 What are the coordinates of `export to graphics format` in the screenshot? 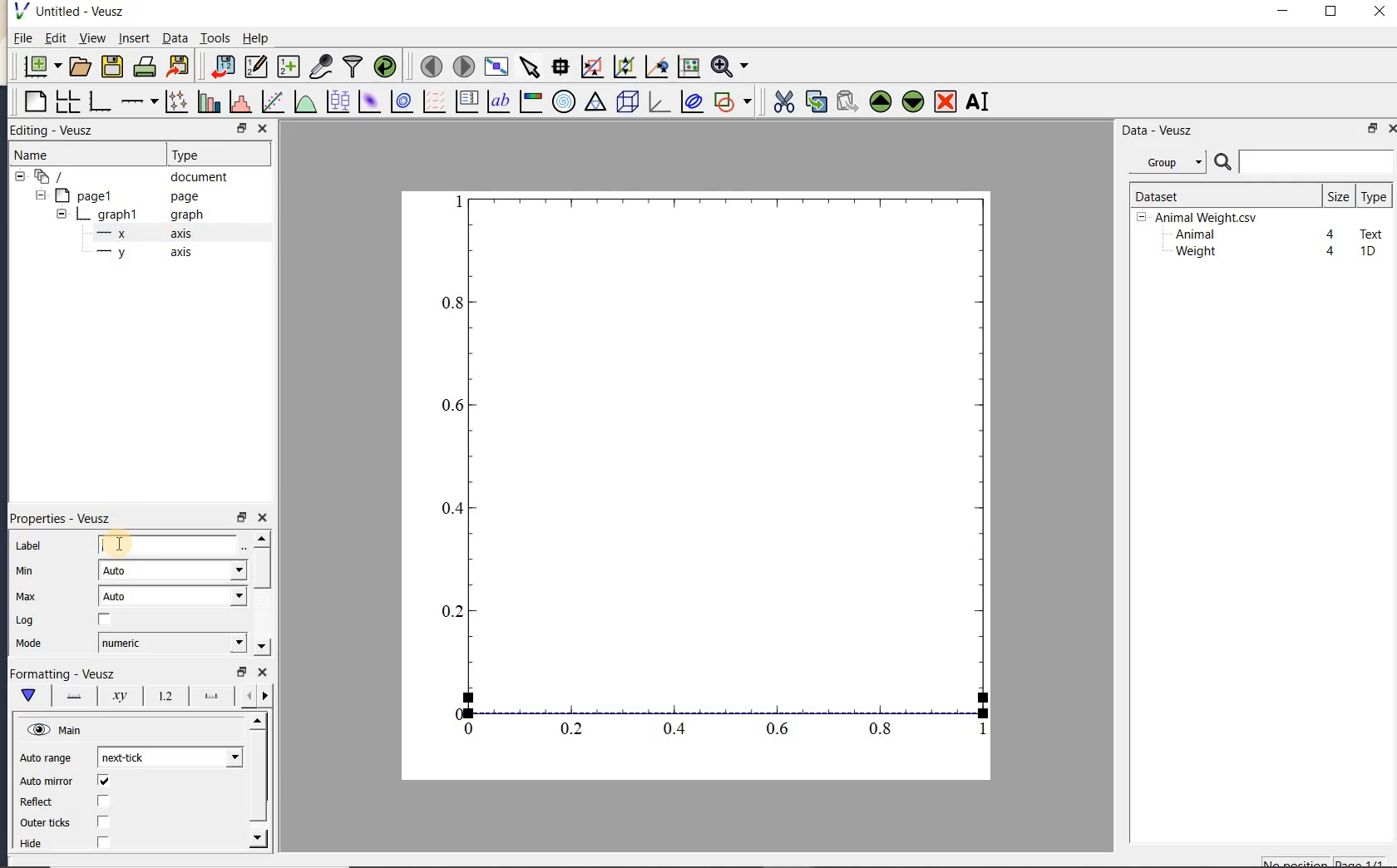 It's located at (179, 65).